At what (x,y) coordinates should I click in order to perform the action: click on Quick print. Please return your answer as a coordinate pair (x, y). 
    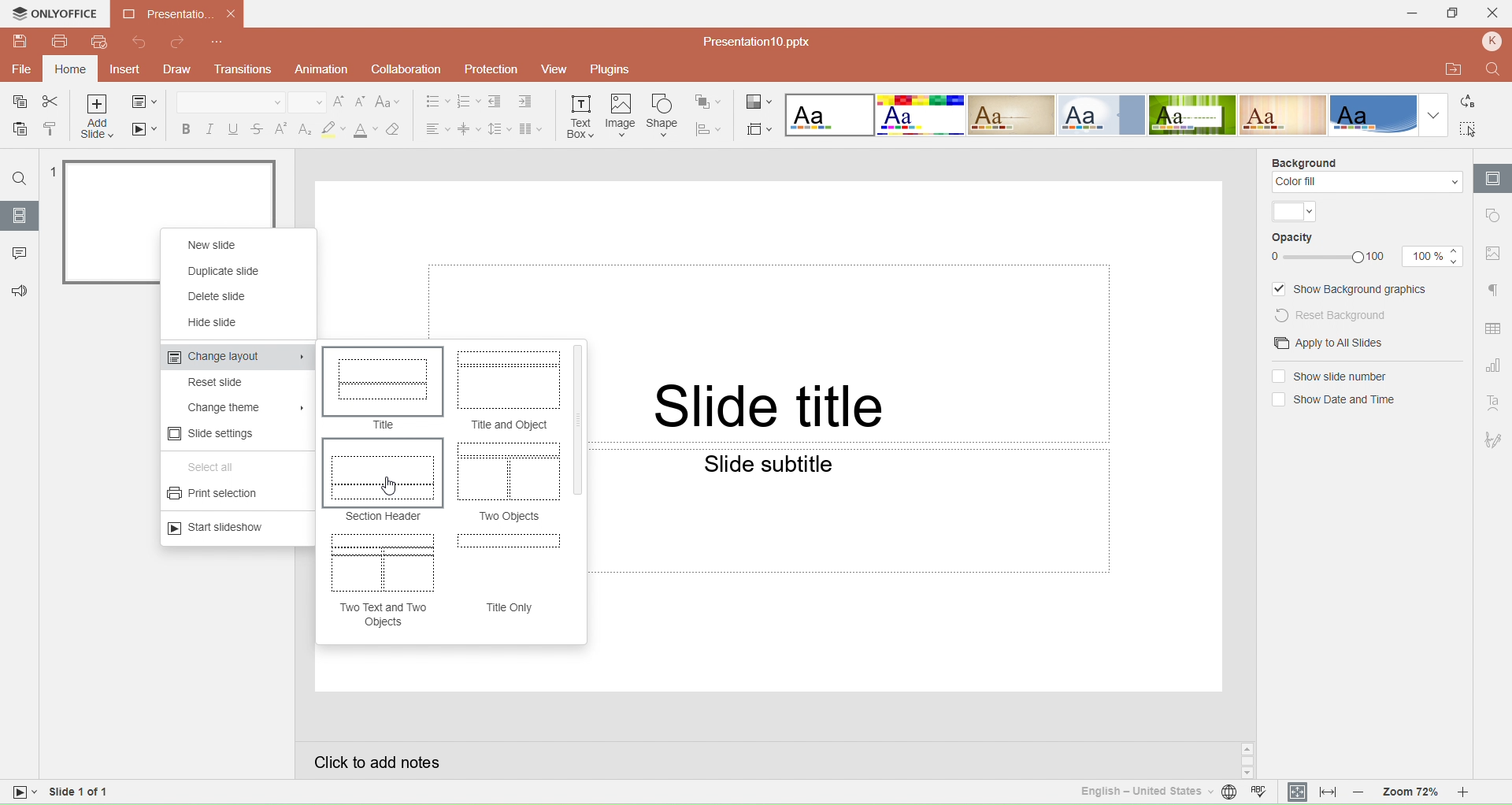
    Looking at the image, I should click on (98, 43).